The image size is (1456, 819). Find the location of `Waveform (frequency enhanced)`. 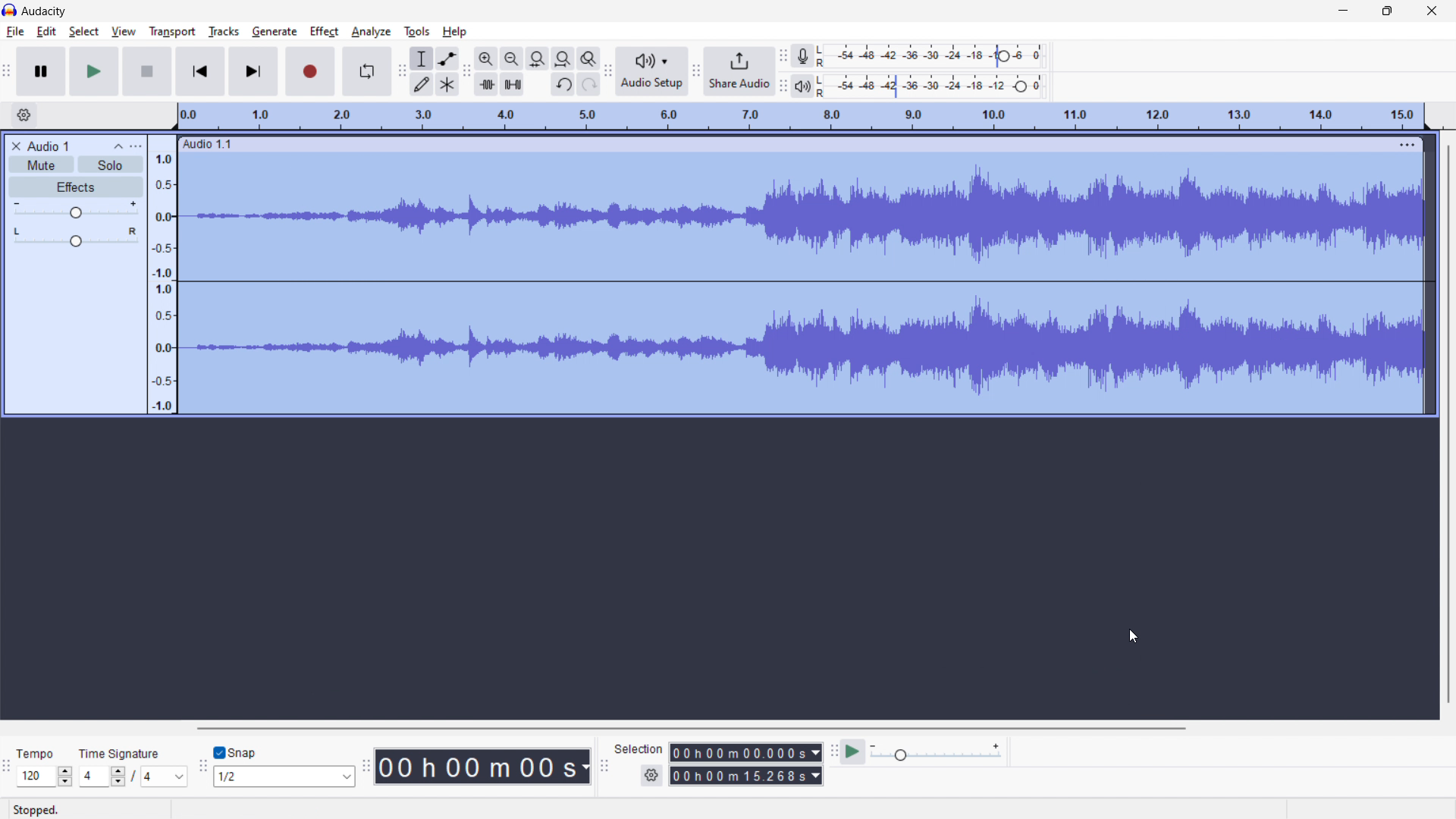

Waveform (frequency enhanced) is located at coordinates (805, 344).